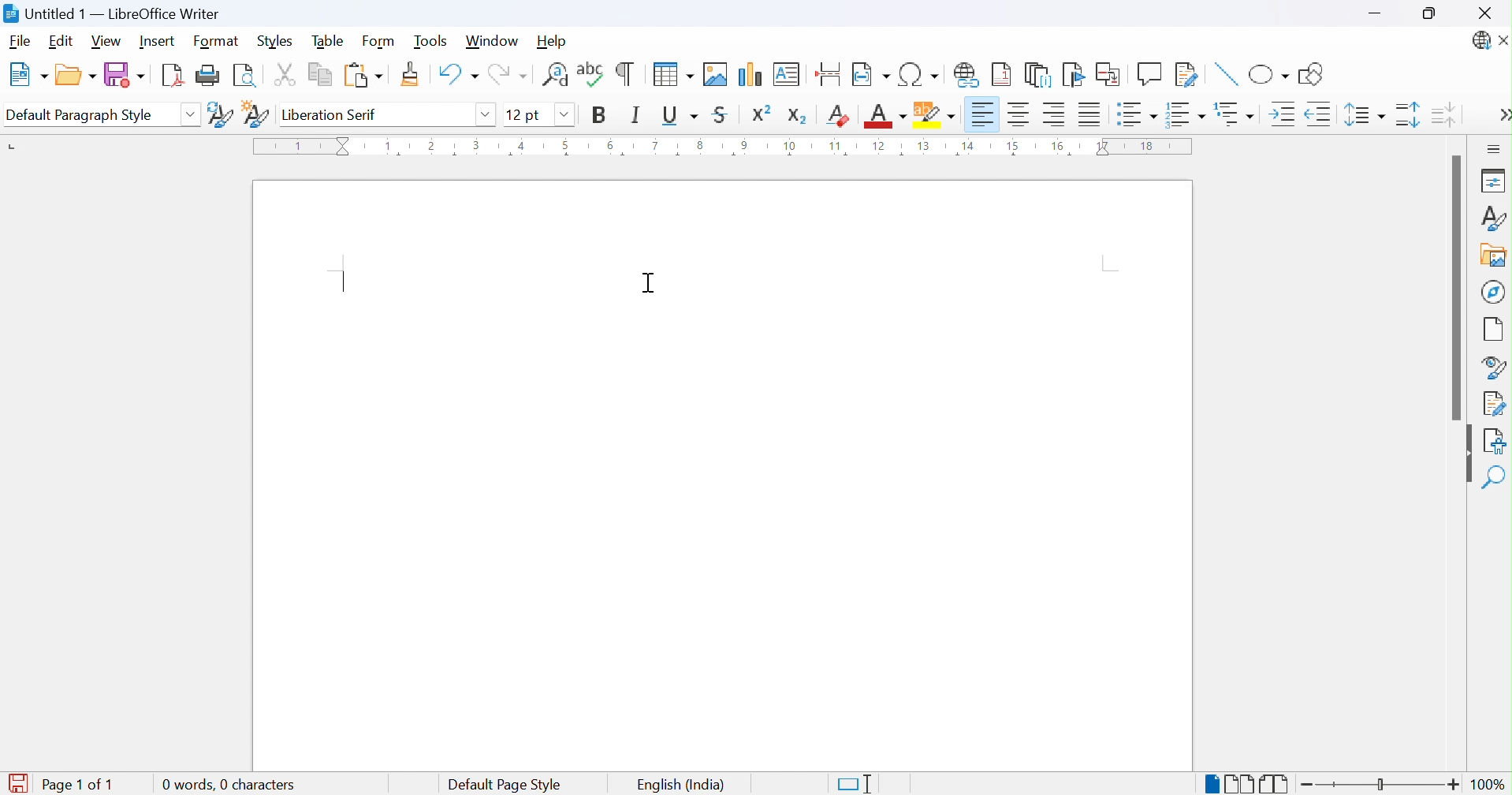 The image size is (1512, 795). I want to click on Check spelling, so click(593, 73).